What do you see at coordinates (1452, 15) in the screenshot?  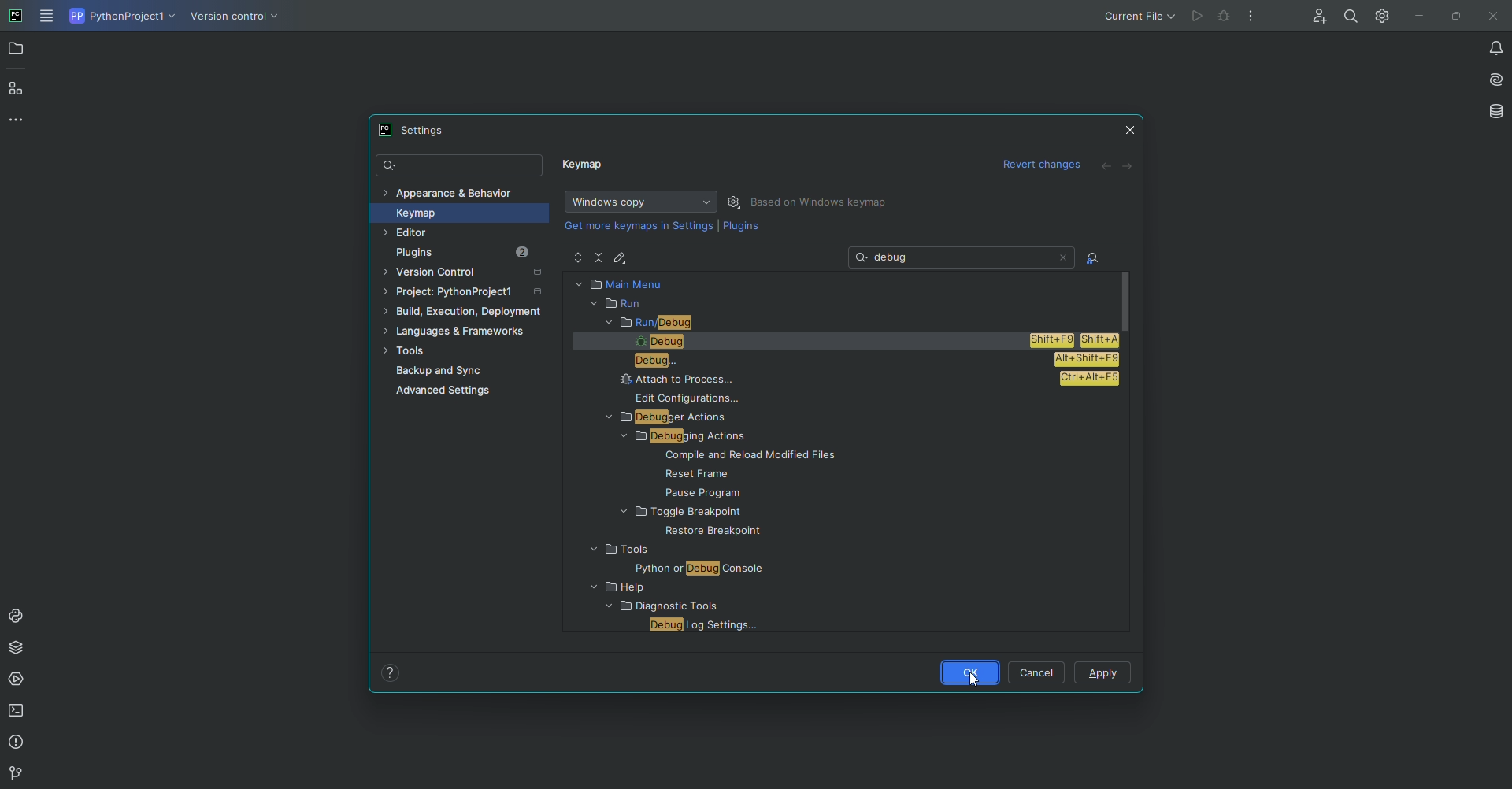 I see `Restore` at bounding box center [1452, 15].